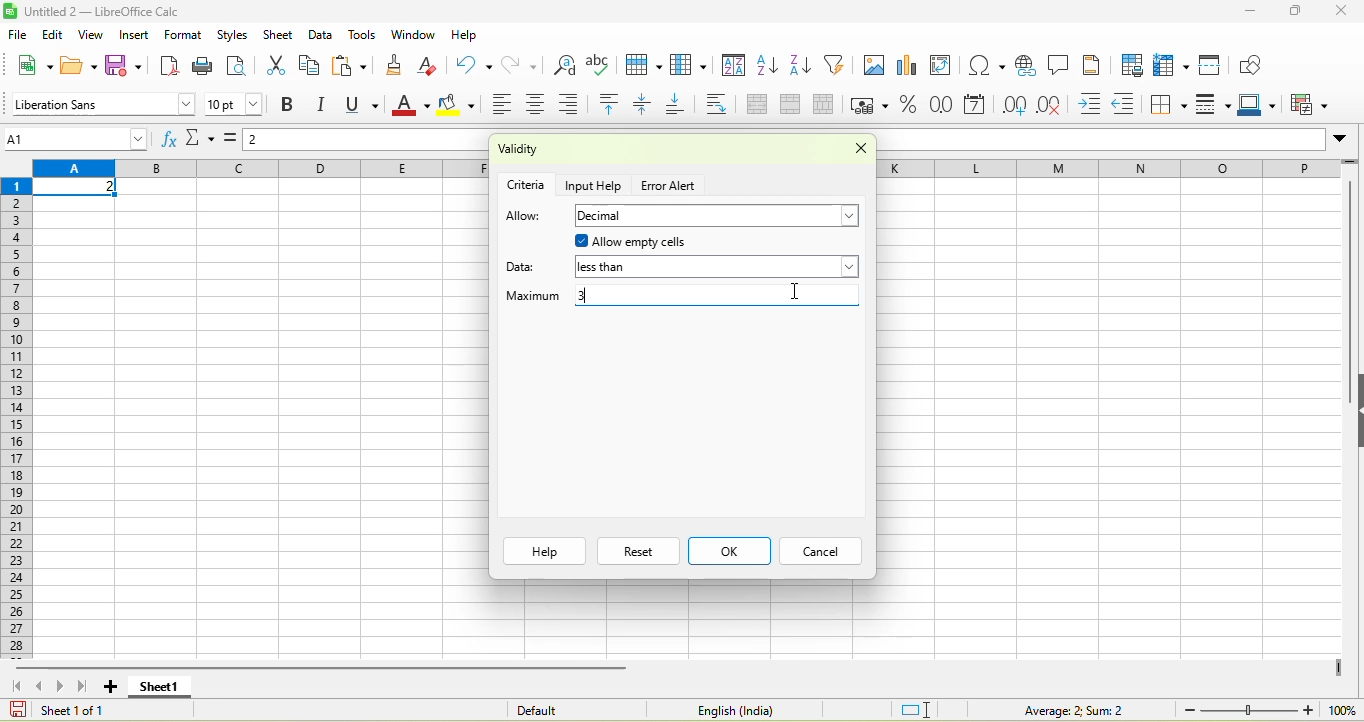 The height and width of the screenshot is (722, 1364). I want to click on underline, so click(366, 105).